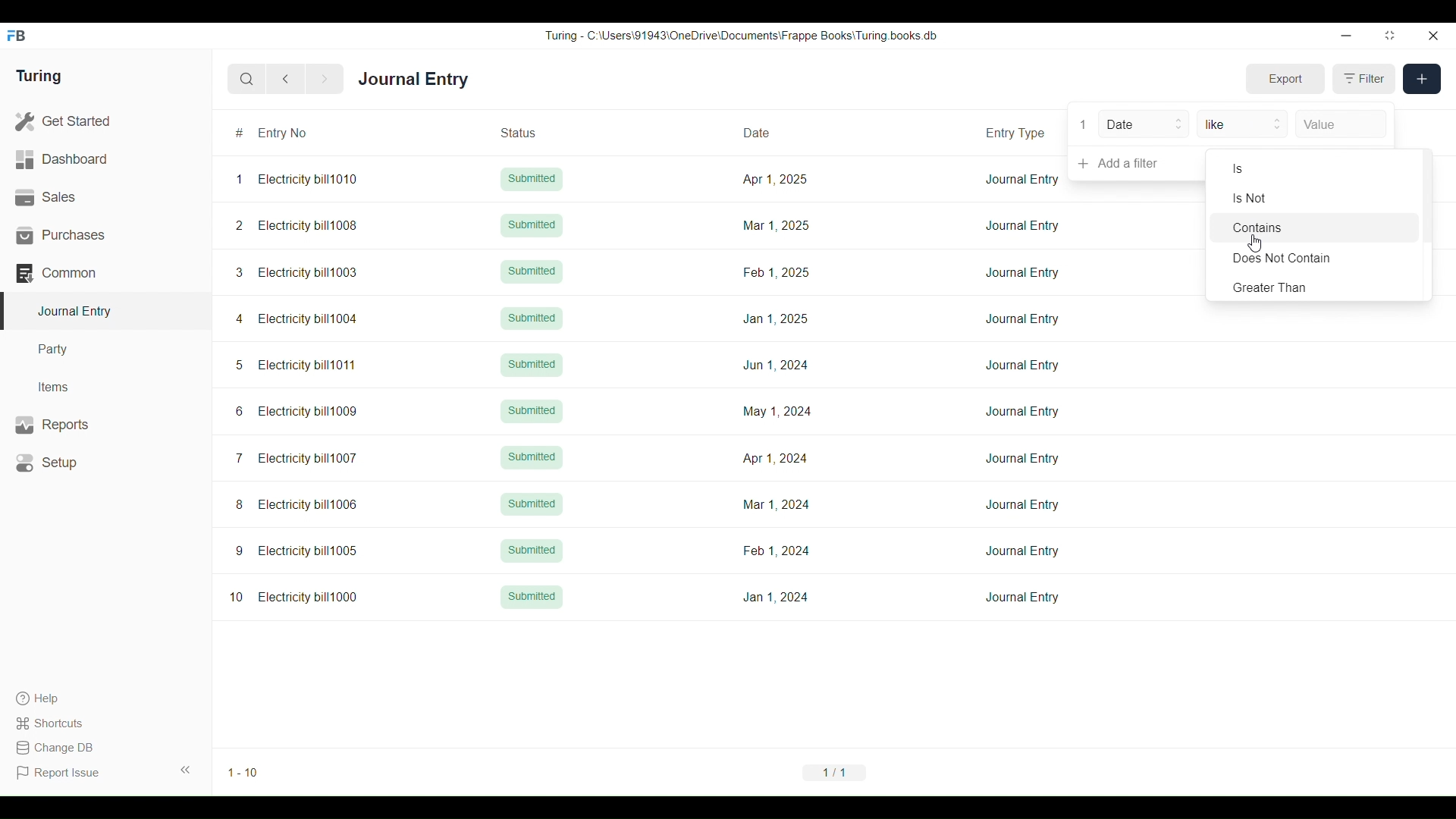 Image resolution: width=1456 pixels, height=819 pixels. Describe the element at coordinates (1314, 168) in the screenshot. I see `Is` at that location.